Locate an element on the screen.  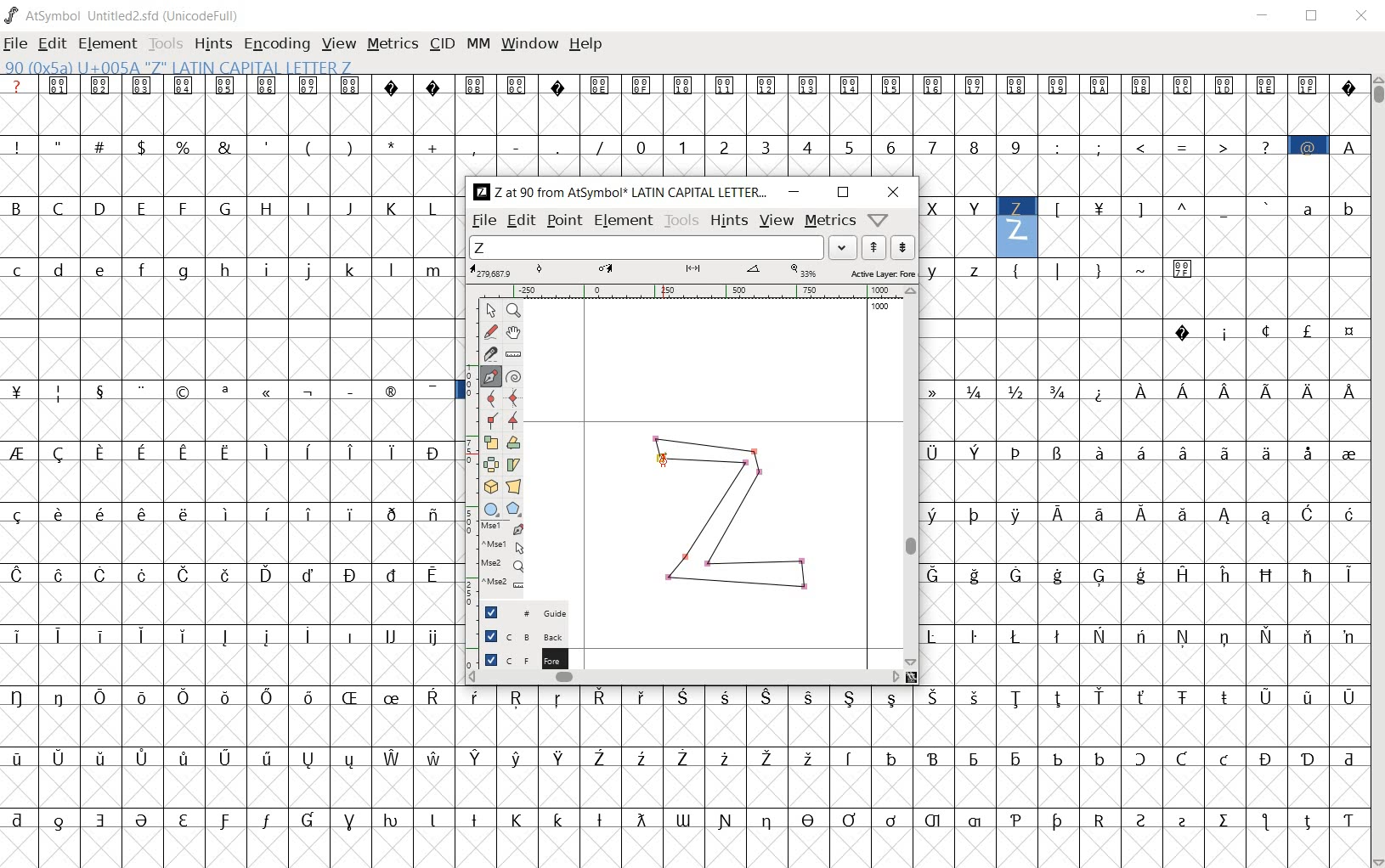
Rotate the selection is located at coordinates (513, 444).